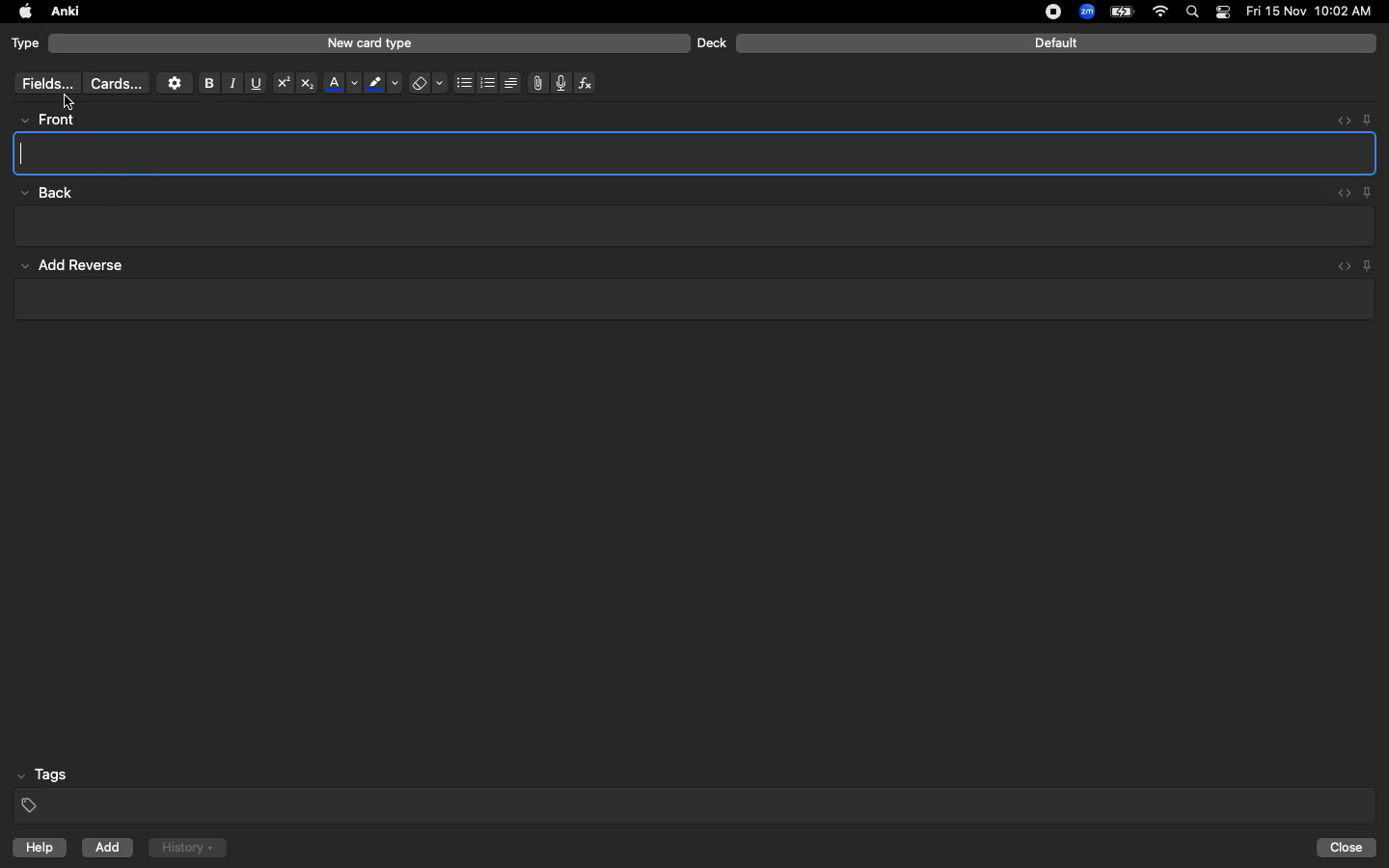 The image size is (1389, 868). Describe the element at coordinates (559, 81) in the screenshot. I see `Voice recorder` at that location.